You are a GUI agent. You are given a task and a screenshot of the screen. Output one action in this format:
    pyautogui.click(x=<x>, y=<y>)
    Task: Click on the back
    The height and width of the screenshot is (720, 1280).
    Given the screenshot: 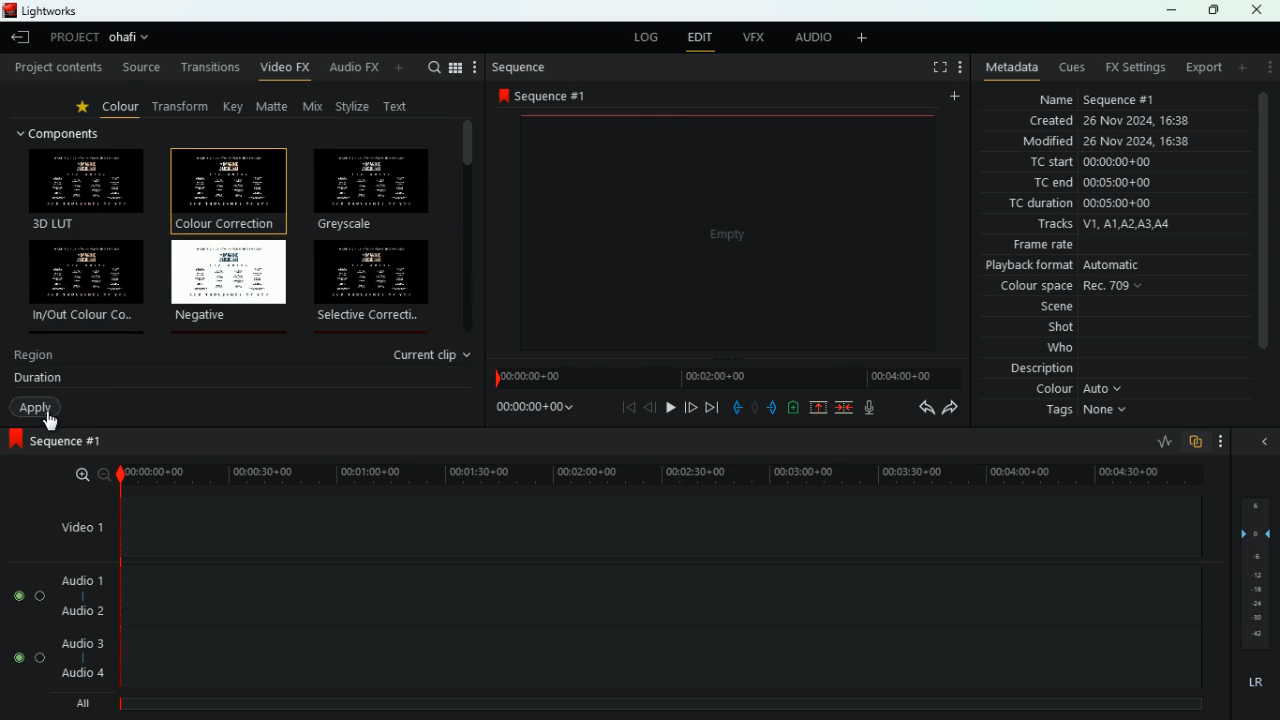 What is the action you would take?
    pyautogui.click(x=734, y=407)
    